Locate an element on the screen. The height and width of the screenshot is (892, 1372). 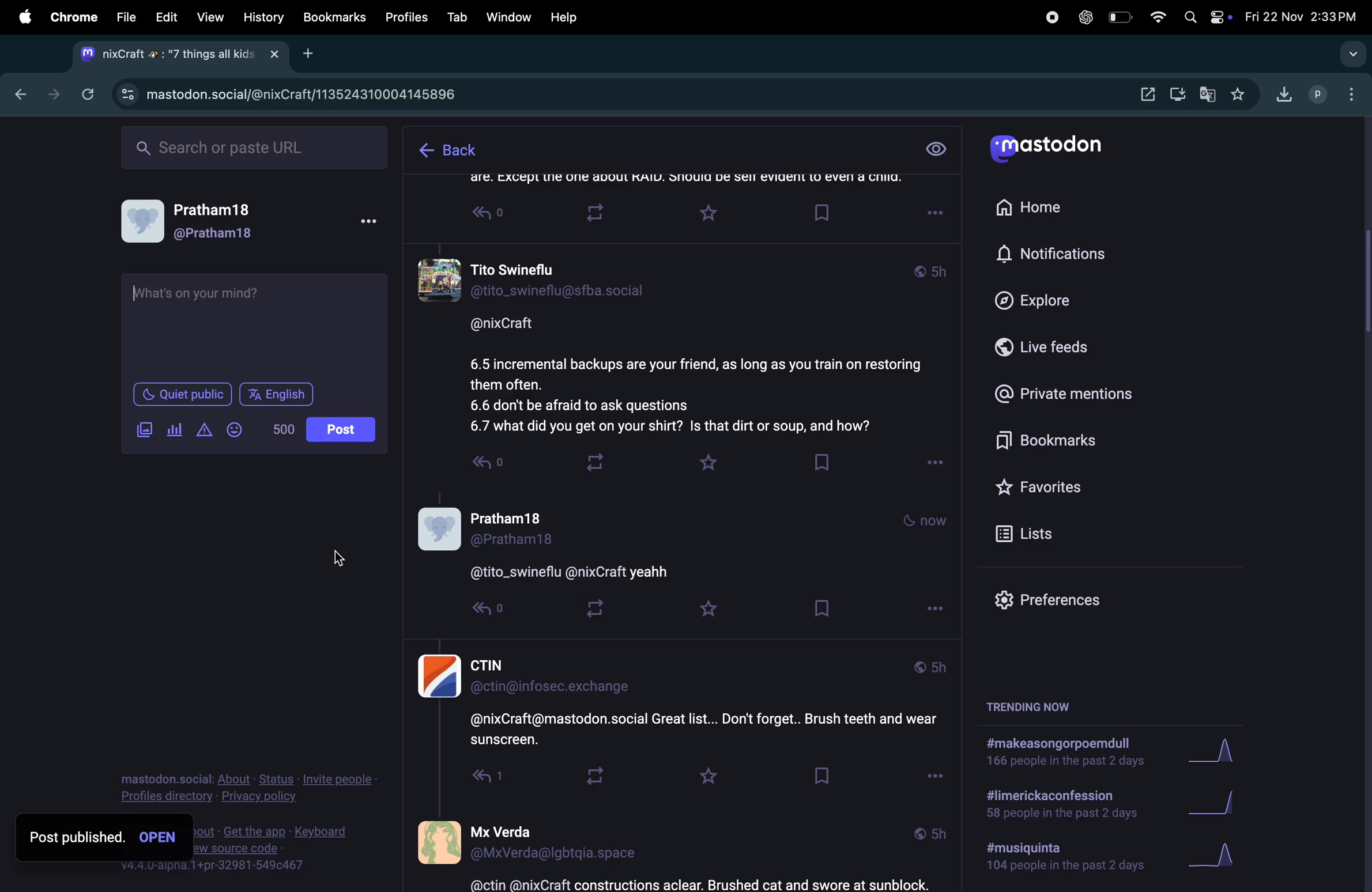
emoji is located at coordinates (236, 429).